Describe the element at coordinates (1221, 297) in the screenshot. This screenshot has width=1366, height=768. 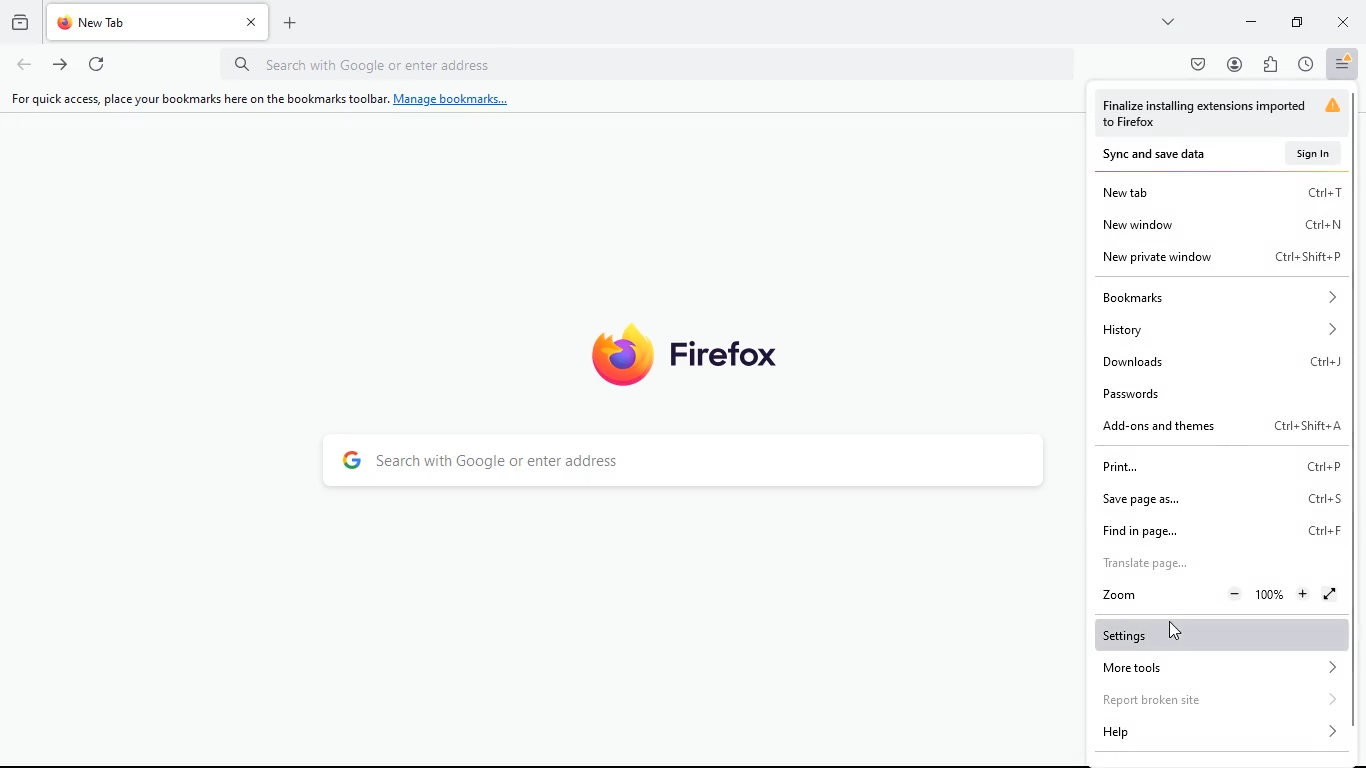
I see `bookmarks` at that location.